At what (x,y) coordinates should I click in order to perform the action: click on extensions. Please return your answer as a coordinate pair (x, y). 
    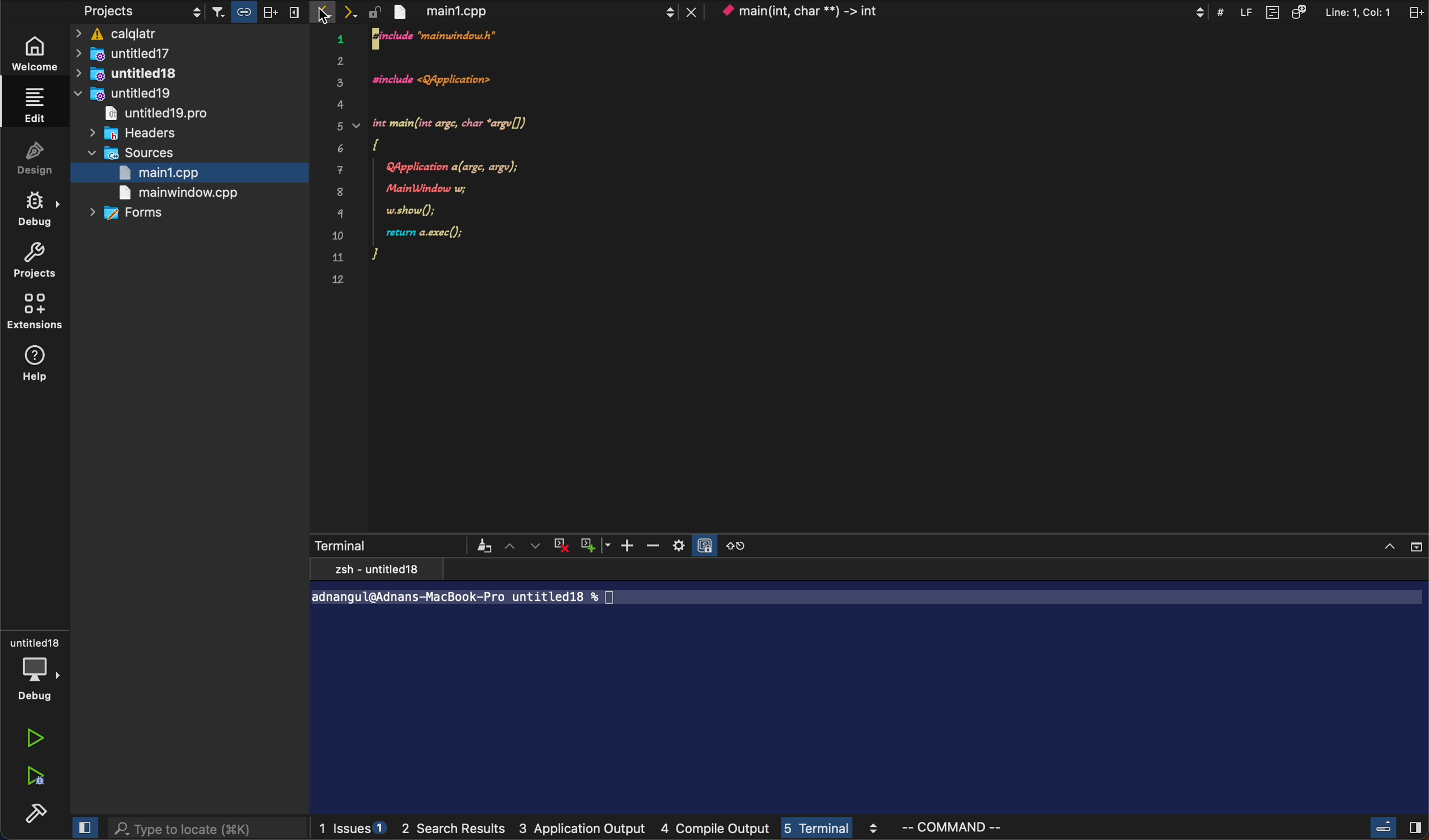
    Looking at the image, I should click on (36, 315).